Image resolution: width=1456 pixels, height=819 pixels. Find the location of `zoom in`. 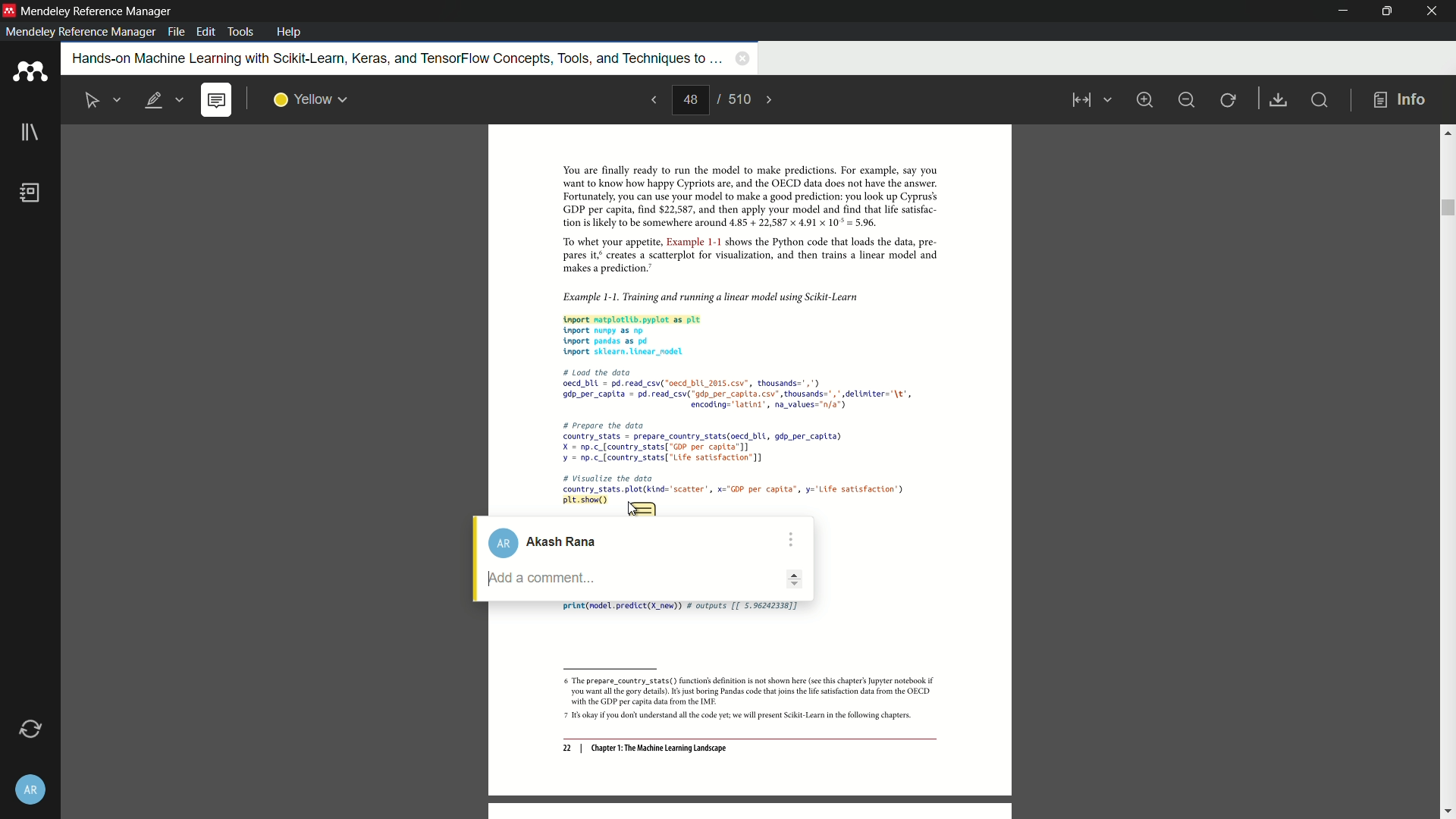

zoom in is located at coordinates (1144, 99).